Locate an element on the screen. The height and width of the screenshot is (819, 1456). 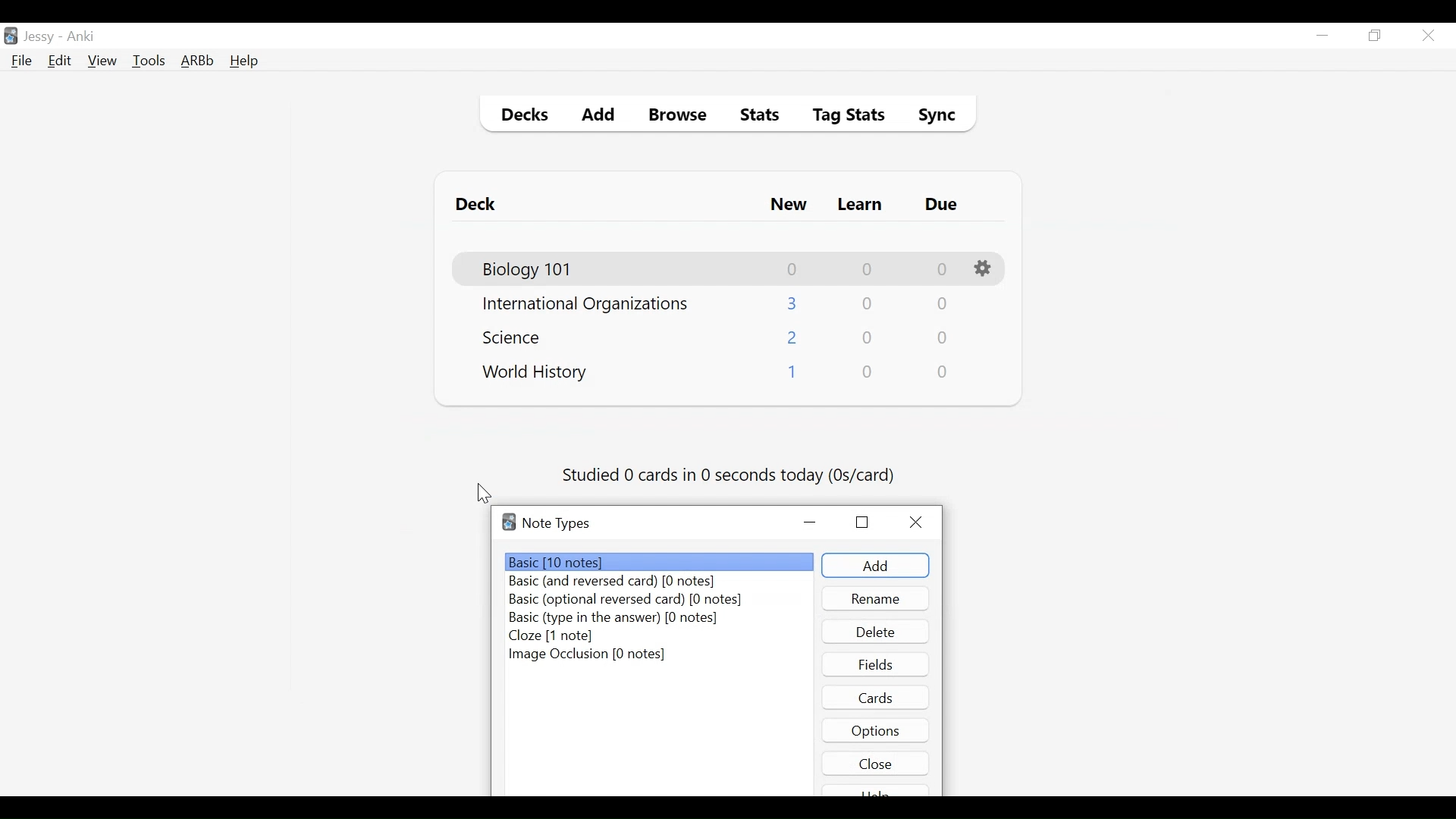
Browse is located at coordinates (680, 117).